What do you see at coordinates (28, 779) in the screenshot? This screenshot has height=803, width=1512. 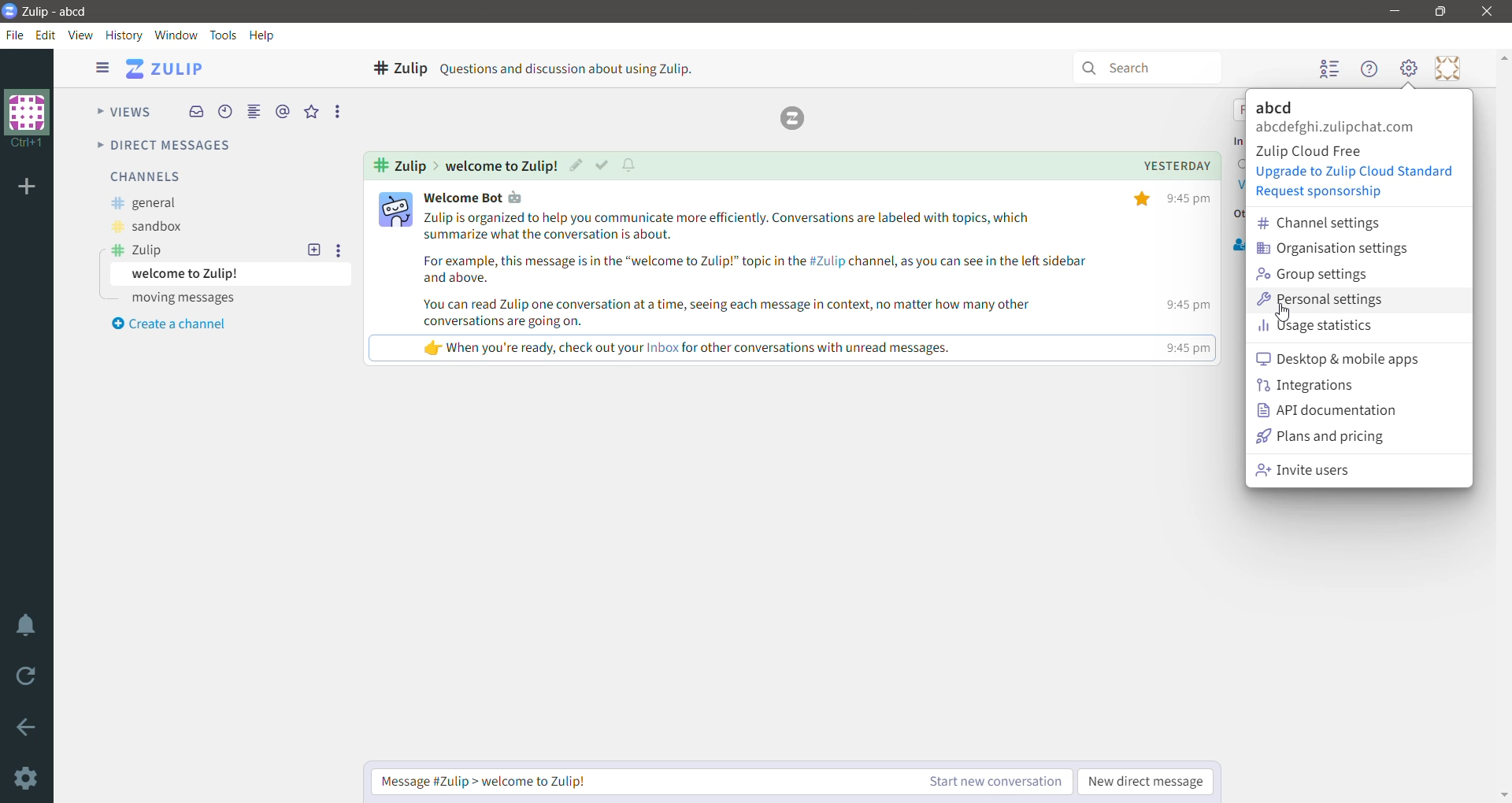 I see `Settings` at bounding box center [28, 779].